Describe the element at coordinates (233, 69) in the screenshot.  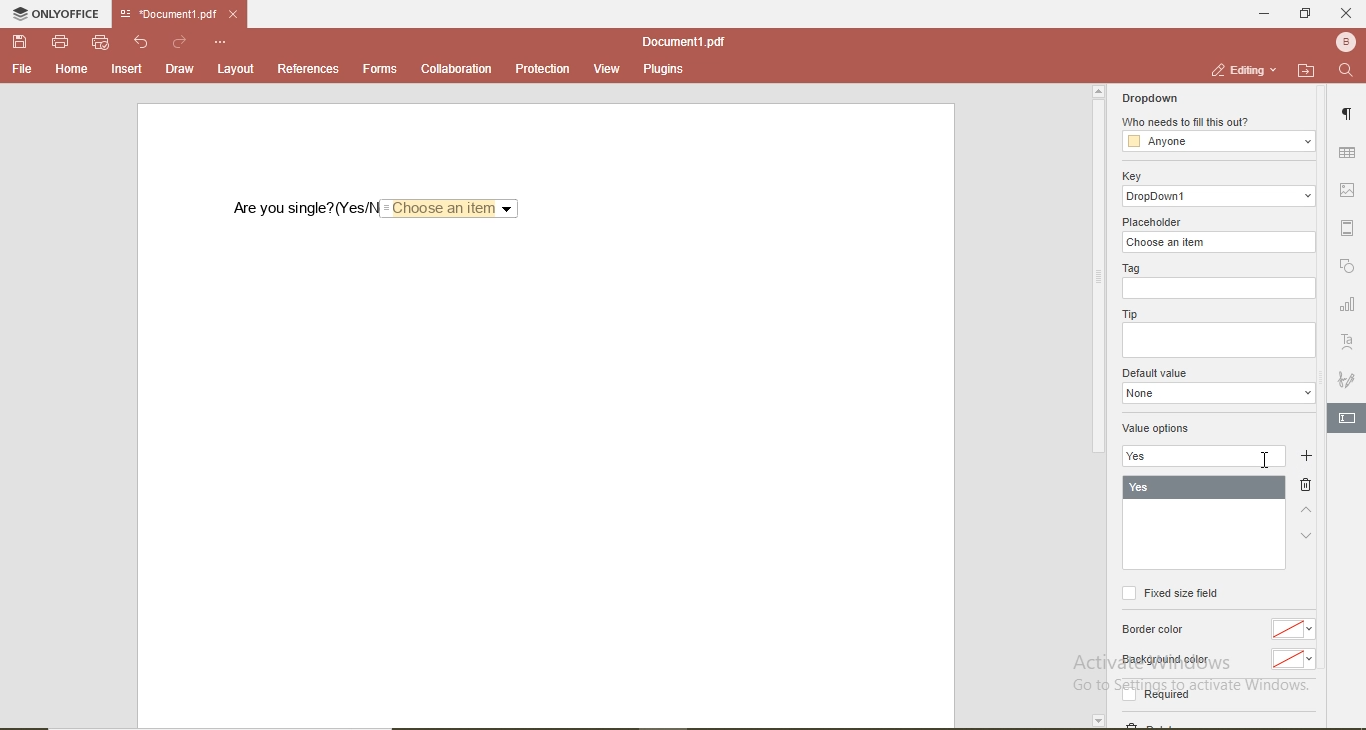
I see `layout` at that location.